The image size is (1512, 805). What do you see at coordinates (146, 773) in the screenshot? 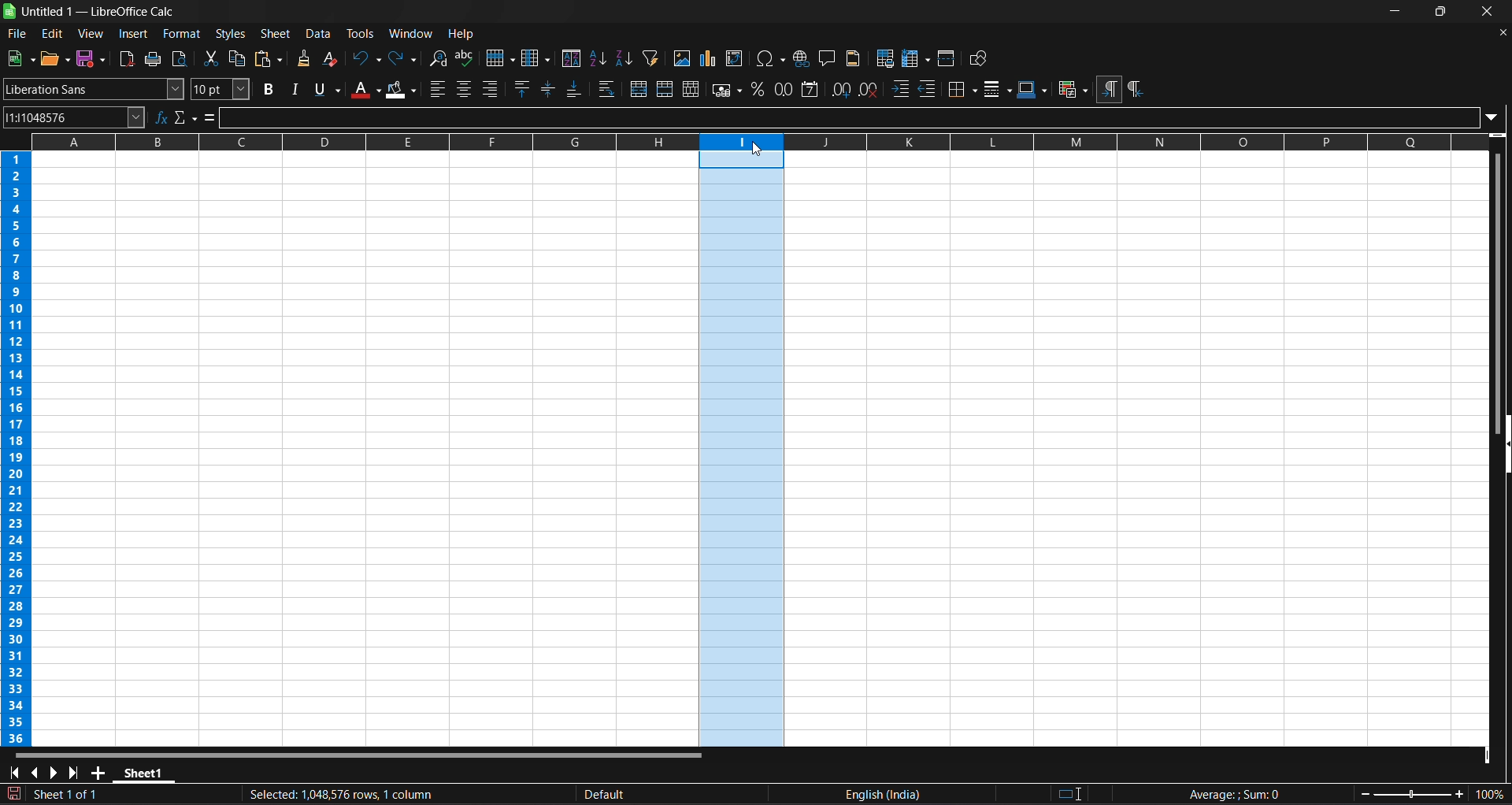
I see `sheet 1` at bounding box center [146, 773].